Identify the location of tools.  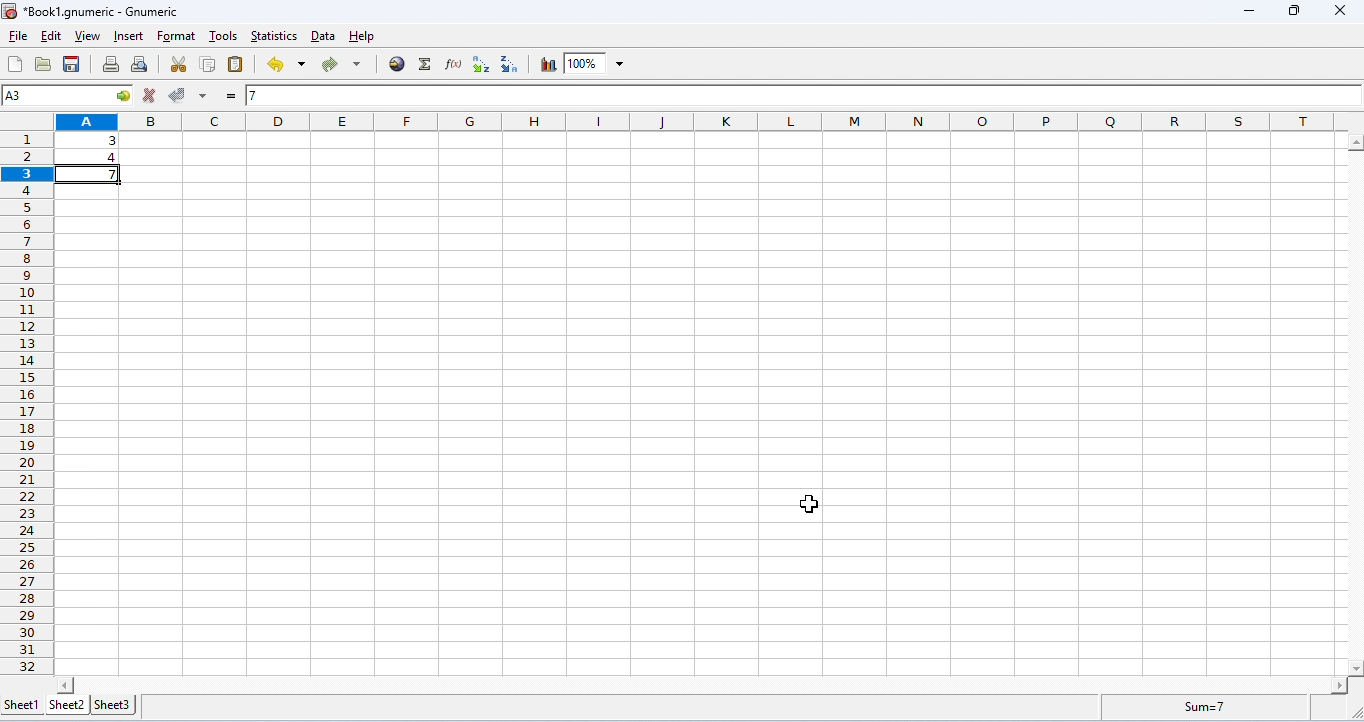
(223, 37).